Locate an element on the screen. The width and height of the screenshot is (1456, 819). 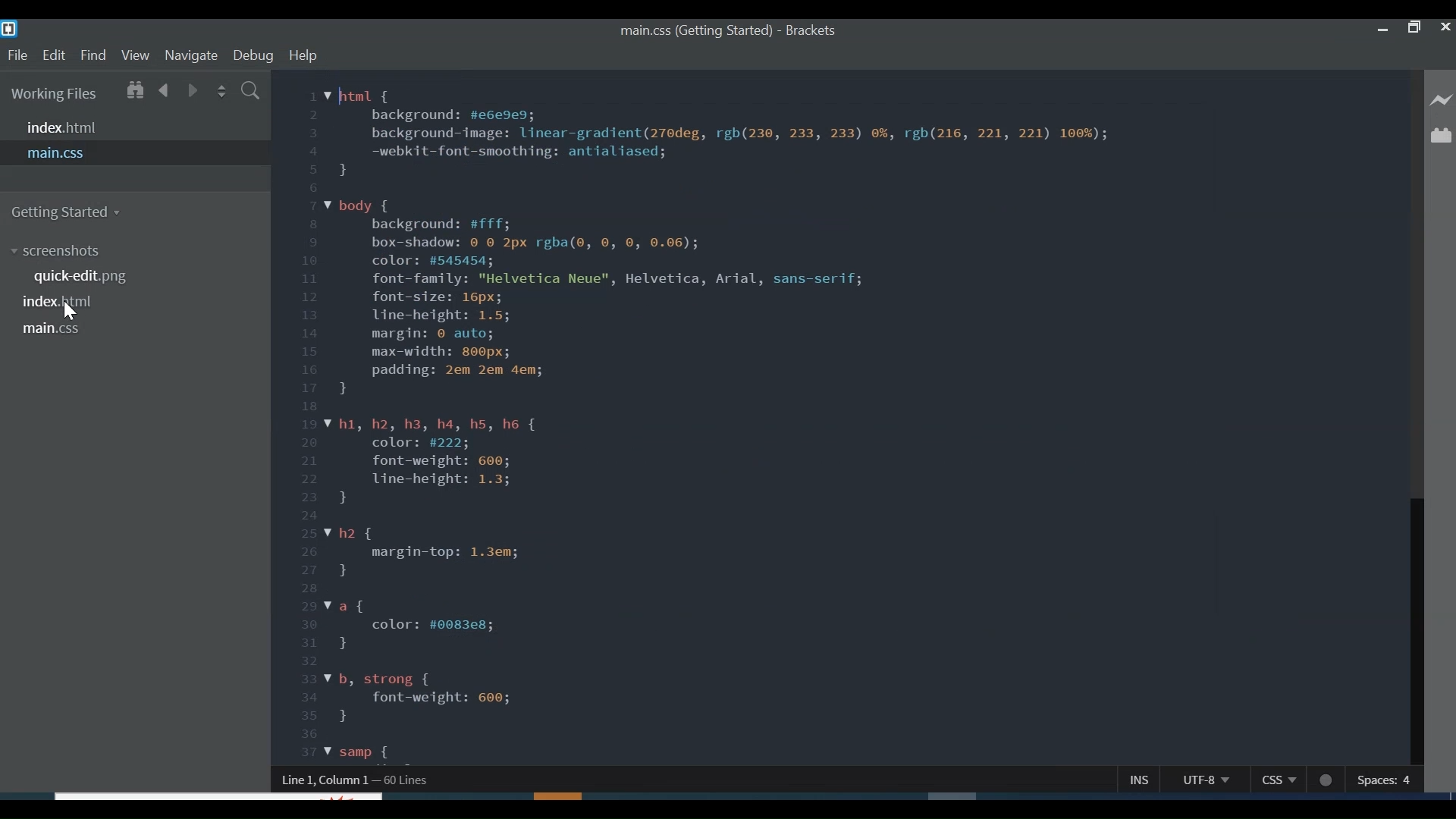
Find In Files is located at coordinates (253, 92).